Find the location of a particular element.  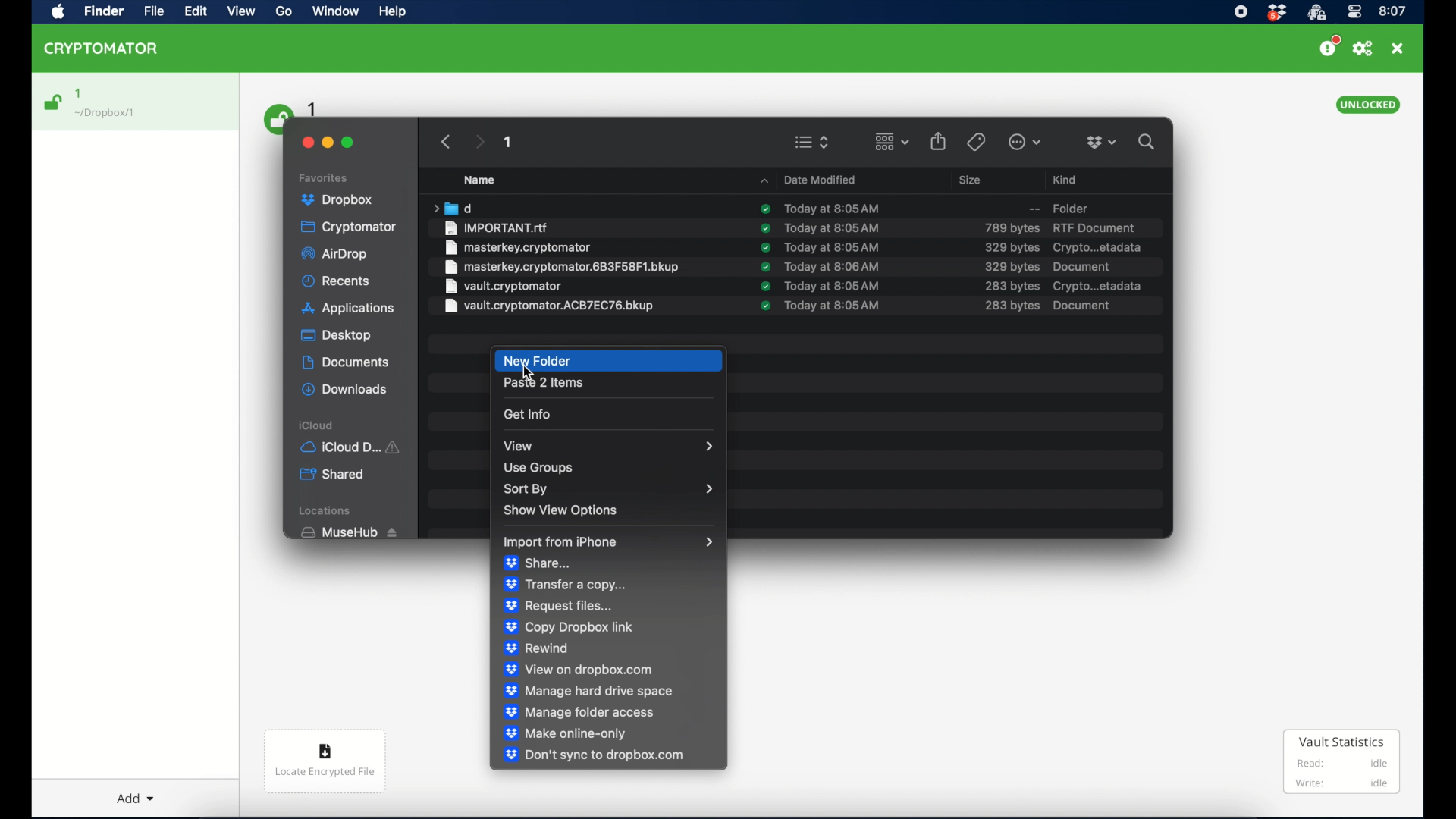

copy is located at coordinates (568, 626).